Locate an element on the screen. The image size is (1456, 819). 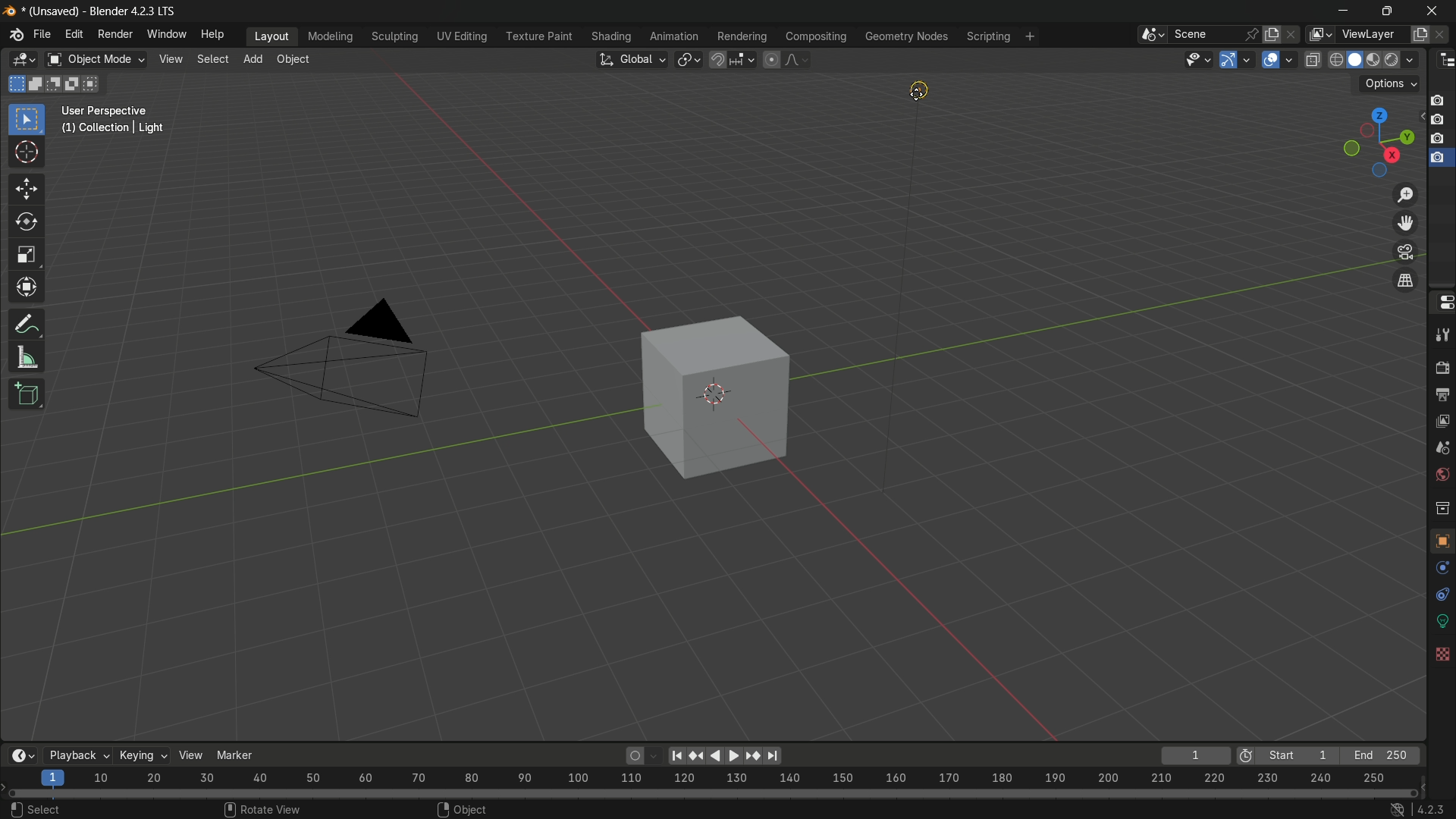
start new selection is located at coordinates (14, 83).